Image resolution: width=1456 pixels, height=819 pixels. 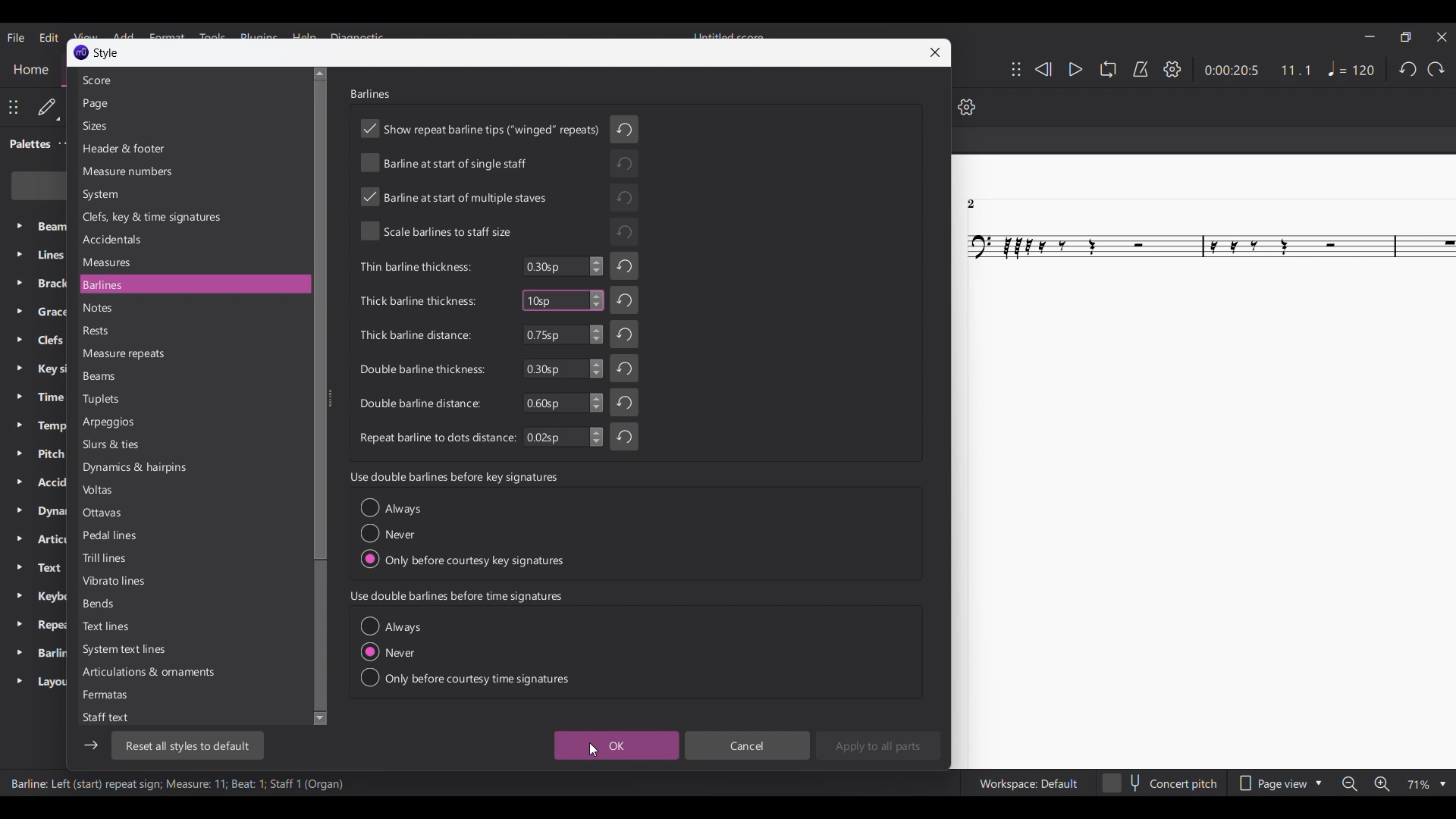 I want to click on Clicking on OK, so click(x=593, y=750).